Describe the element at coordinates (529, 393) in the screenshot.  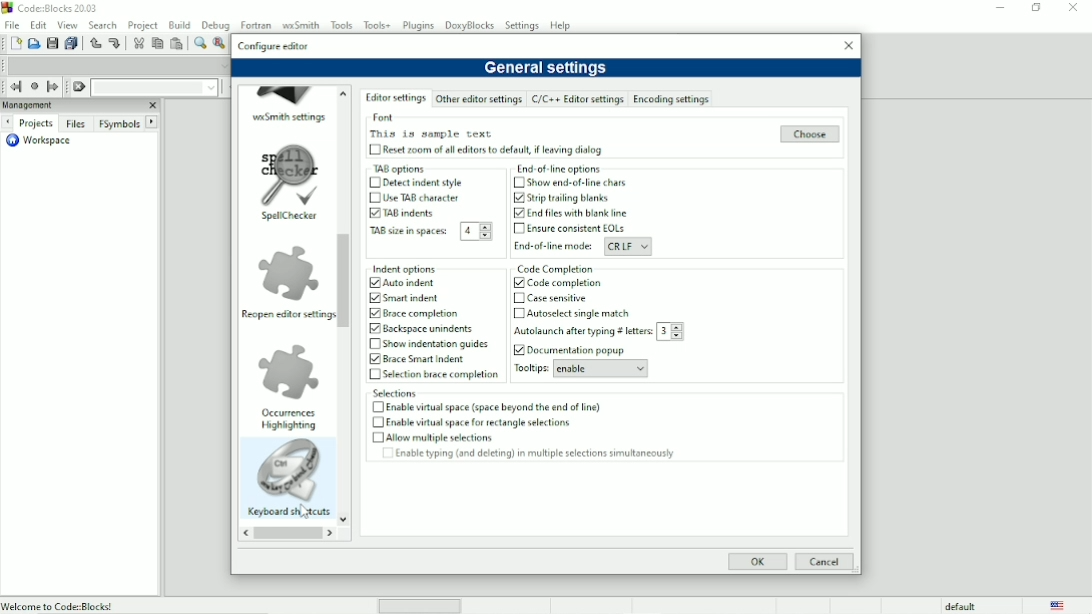
I see `Selections` at that location.